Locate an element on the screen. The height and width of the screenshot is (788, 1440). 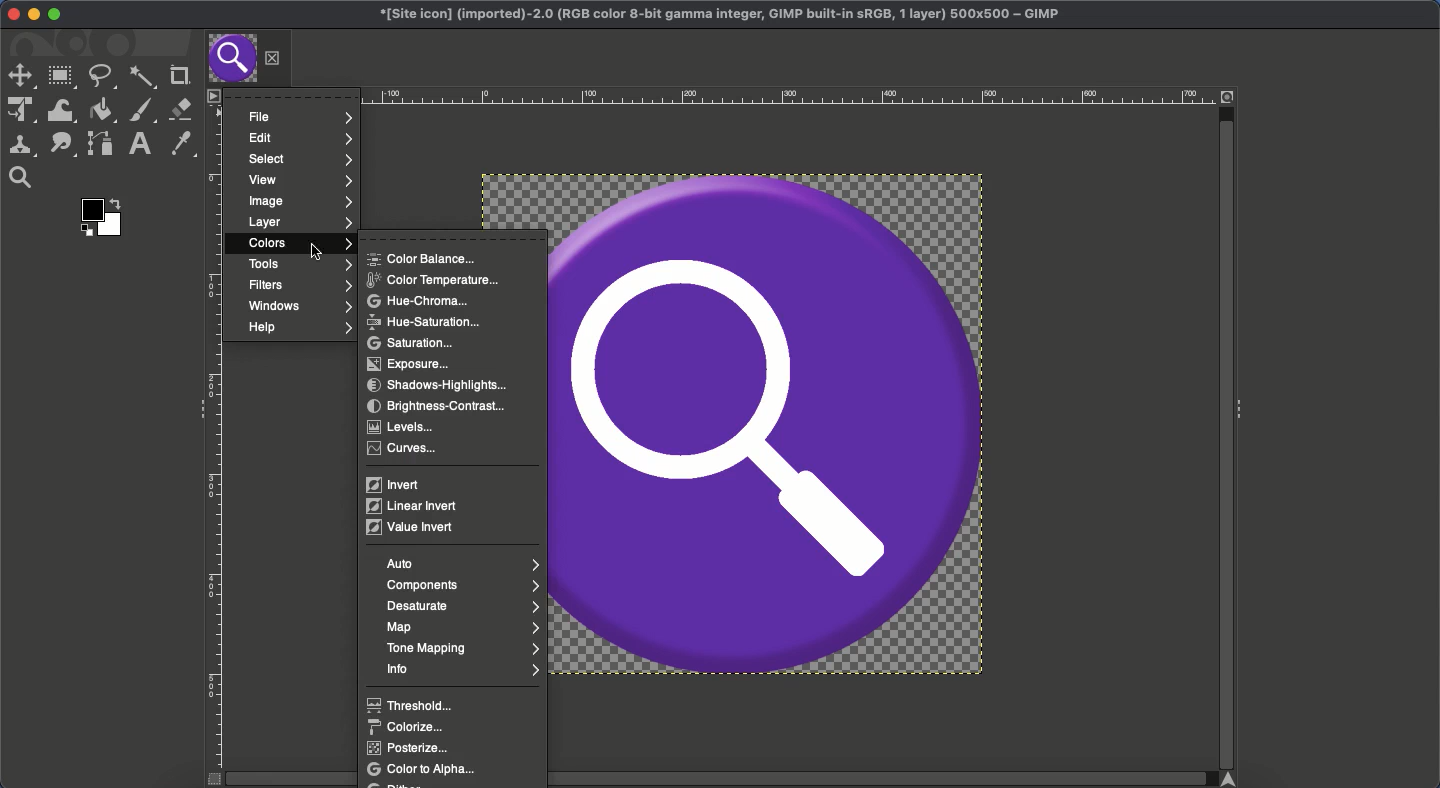
Color balance is located at coordinates (424, 260).